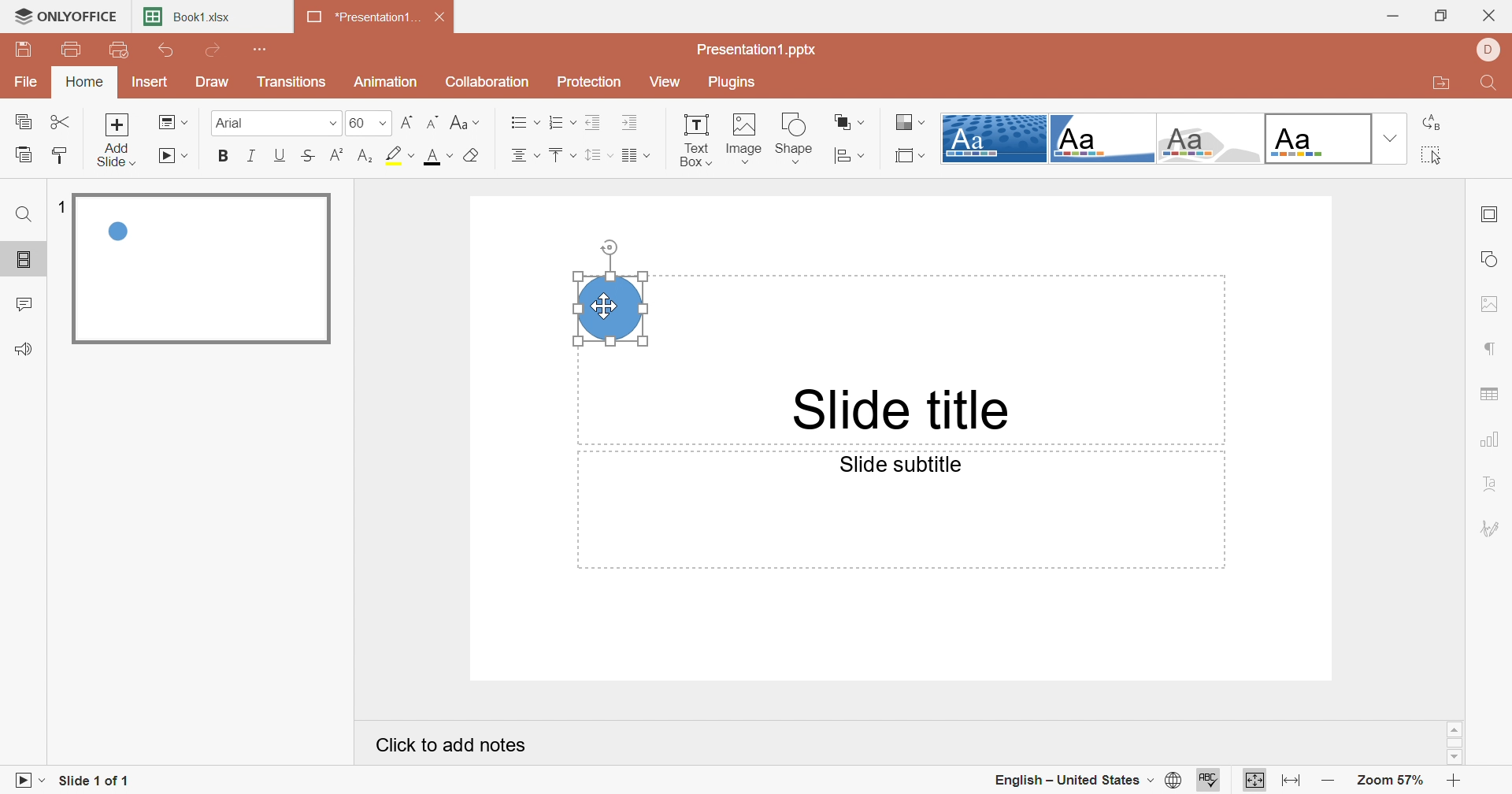  I want to click on Drop down, so click(1388, 139).